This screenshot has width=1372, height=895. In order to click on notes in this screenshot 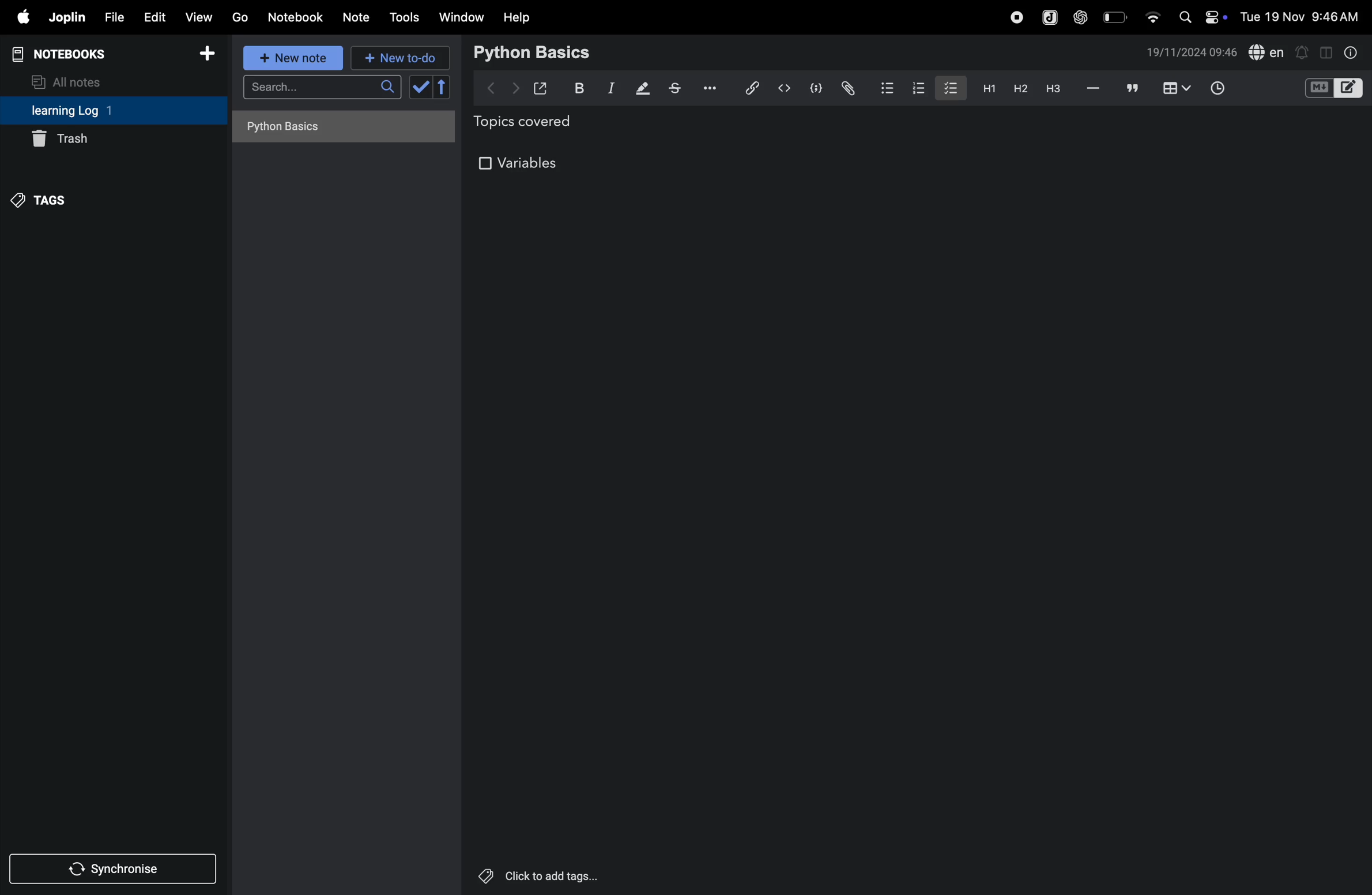, I will do `click(357, 18)`.